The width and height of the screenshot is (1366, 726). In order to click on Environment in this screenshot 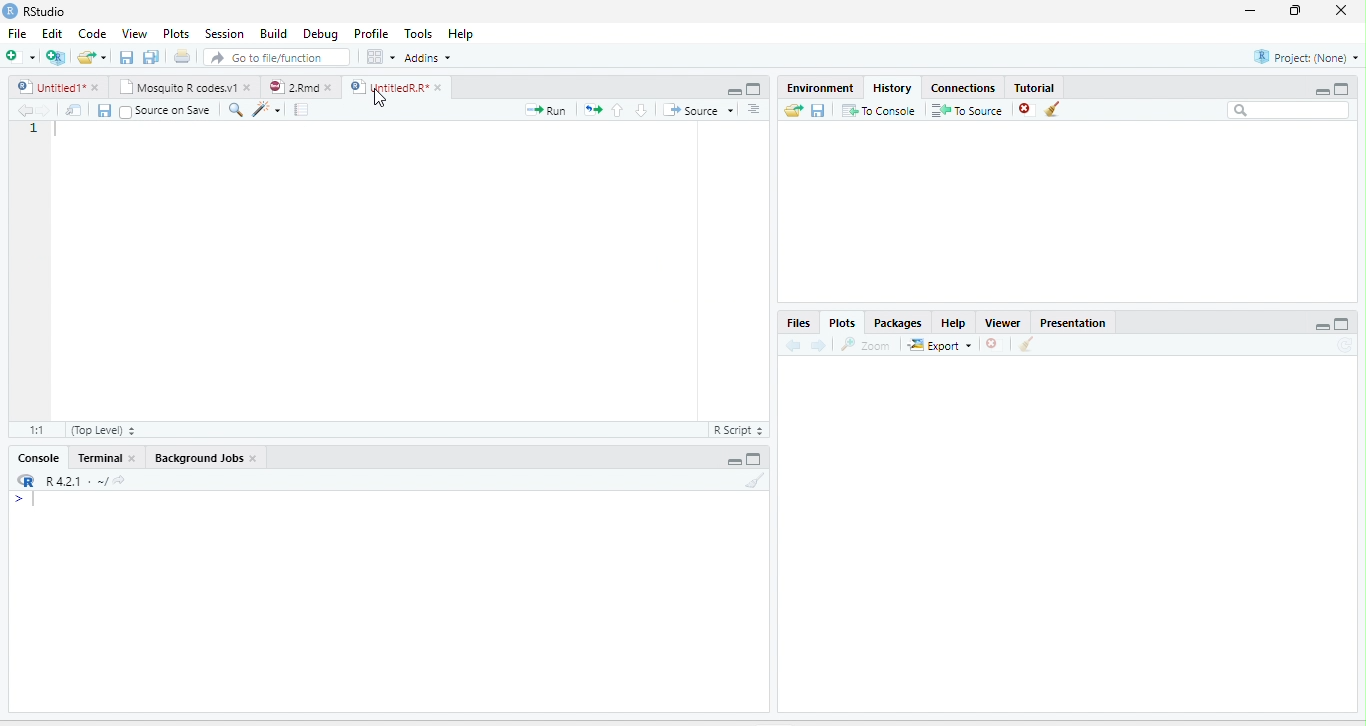, I will do `click(822, 87)`.